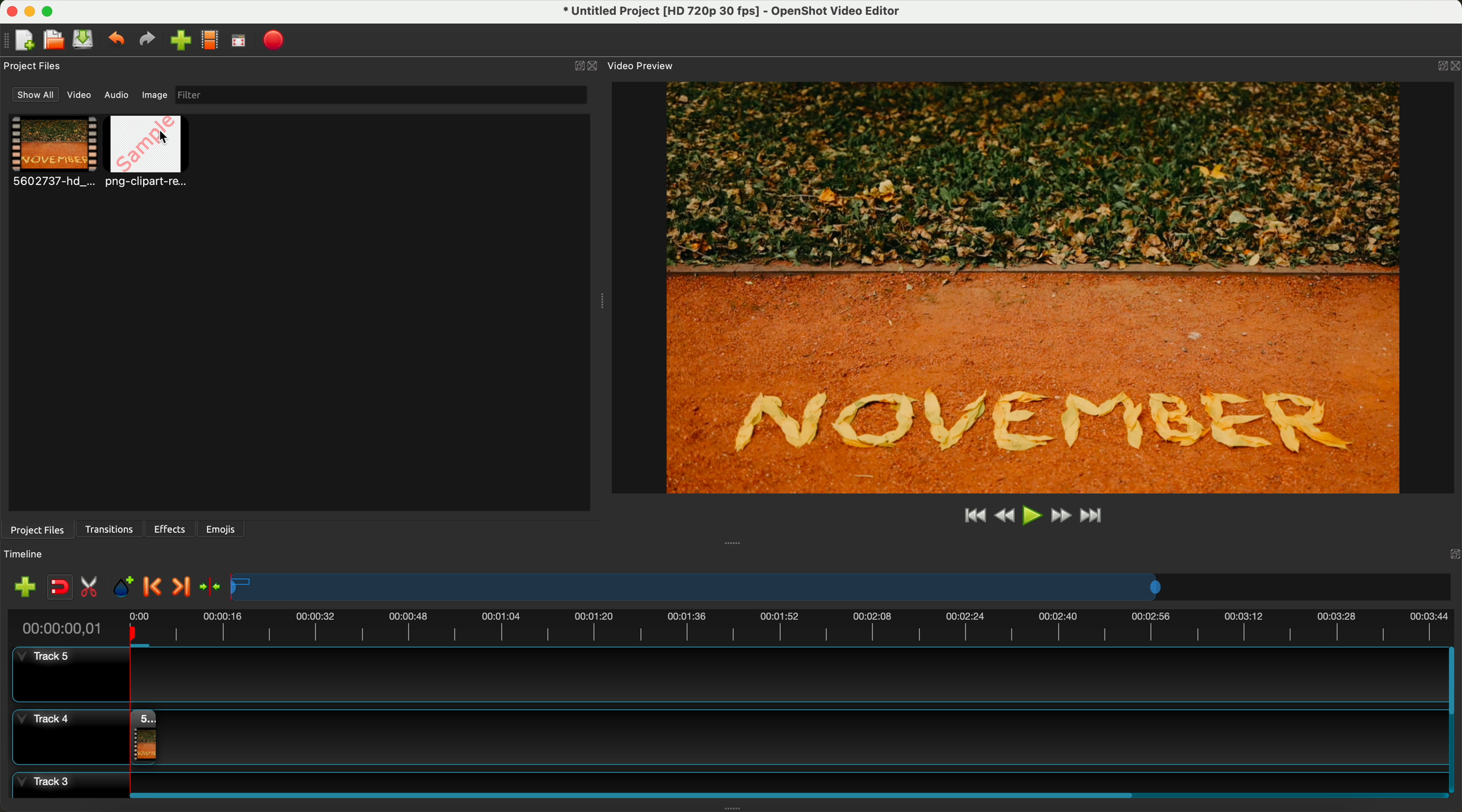  Describe the element at coordinates (278, 40) in the screenshot. I see `export video` at that location.